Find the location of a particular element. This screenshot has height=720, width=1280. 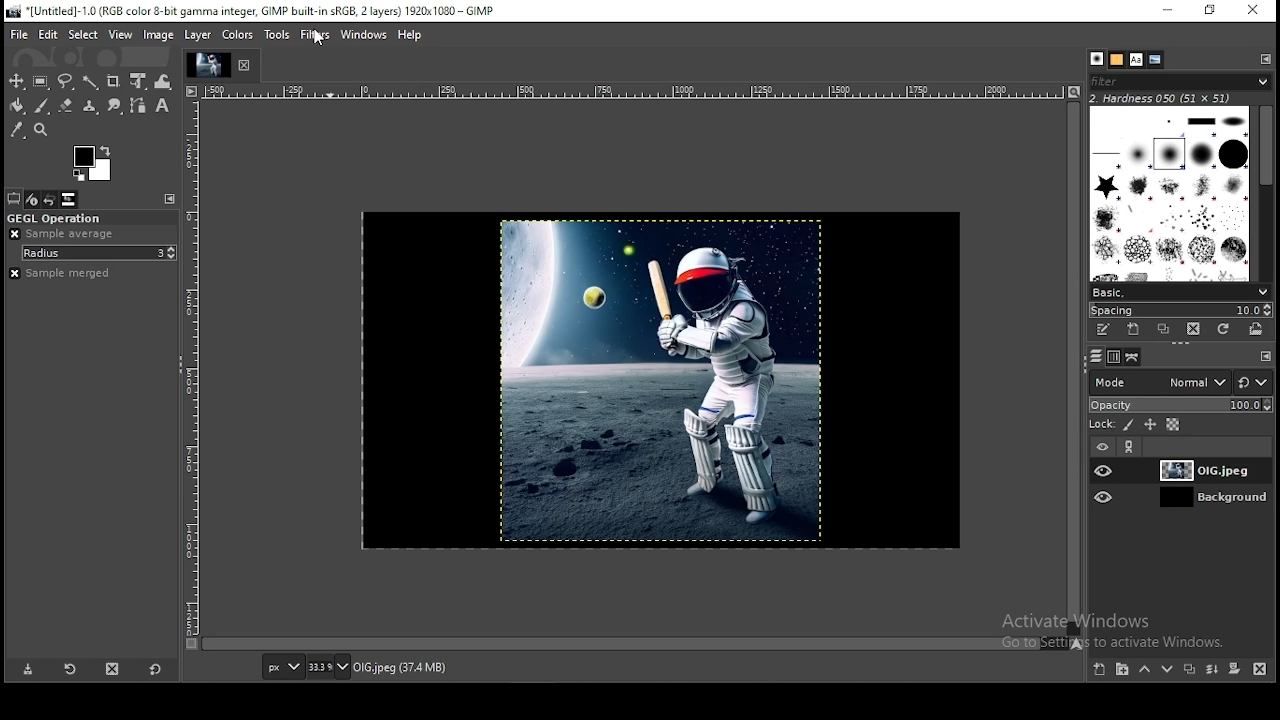

scroll bar is located at coordinates (1265, 193).